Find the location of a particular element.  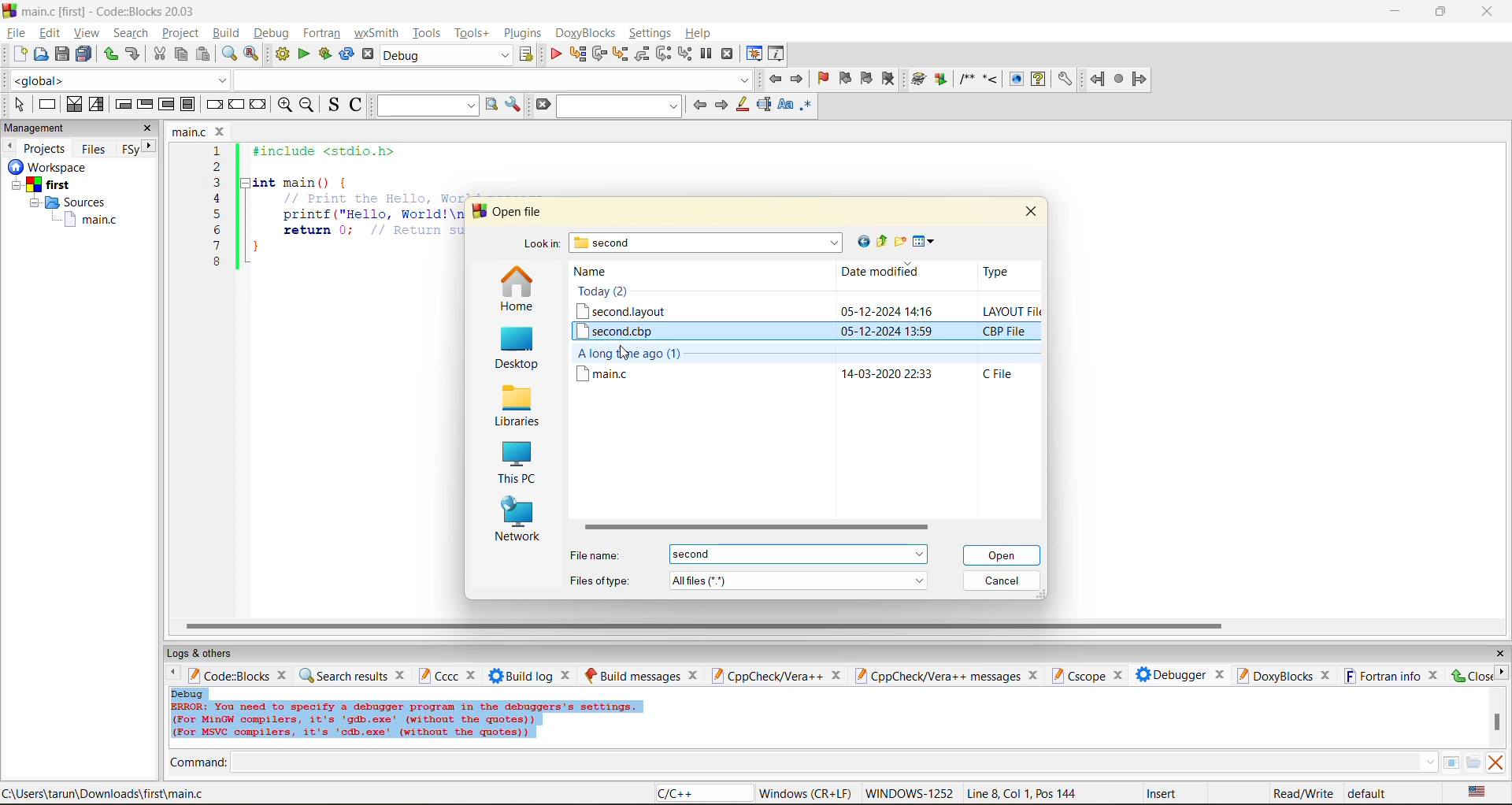

open file is located at coordinates (520, 212).